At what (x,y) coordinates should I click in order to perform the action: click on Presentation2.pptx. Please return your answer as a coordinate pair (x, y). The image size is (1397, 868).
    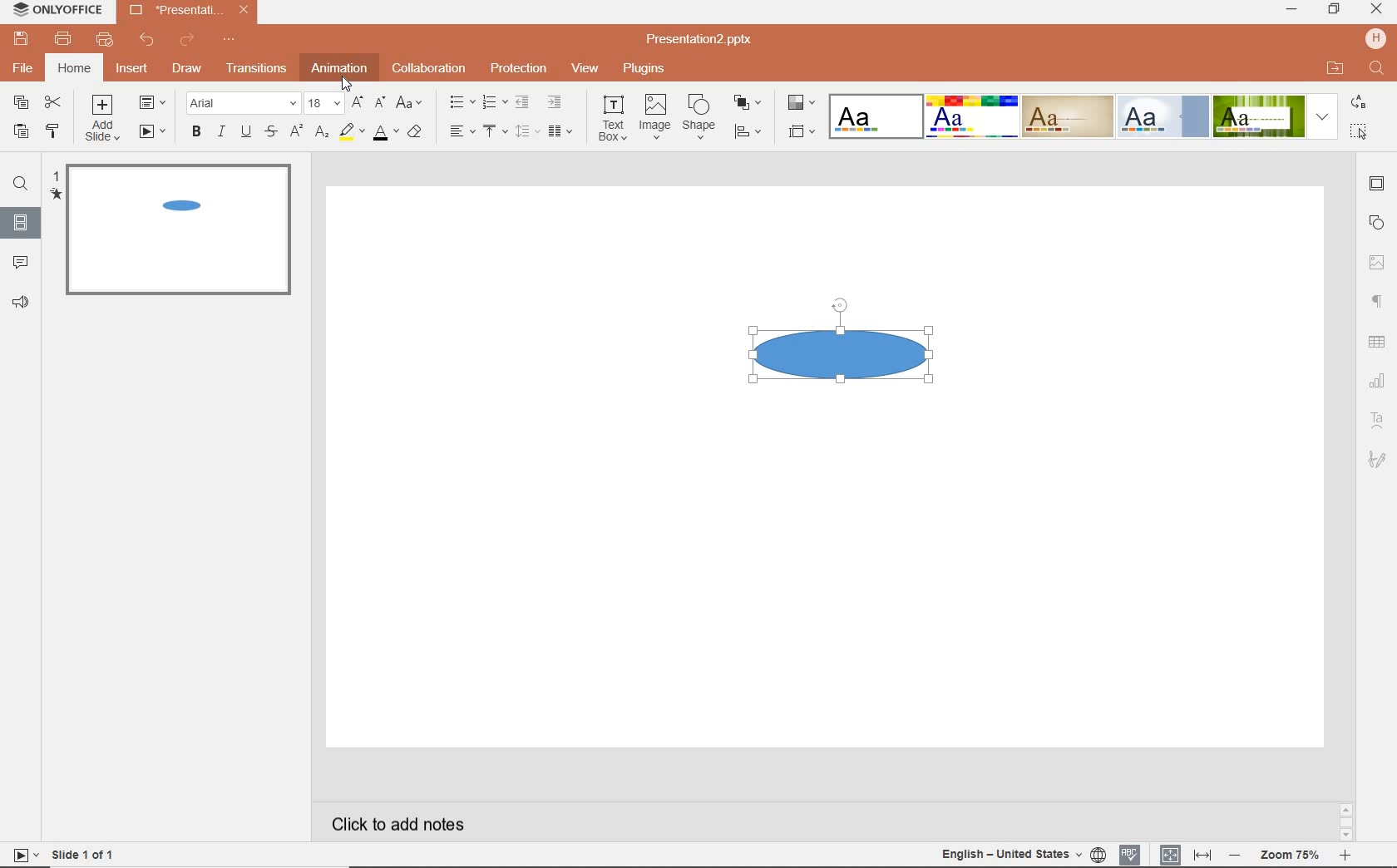
    Looking at the image, I should click on (709, 40).